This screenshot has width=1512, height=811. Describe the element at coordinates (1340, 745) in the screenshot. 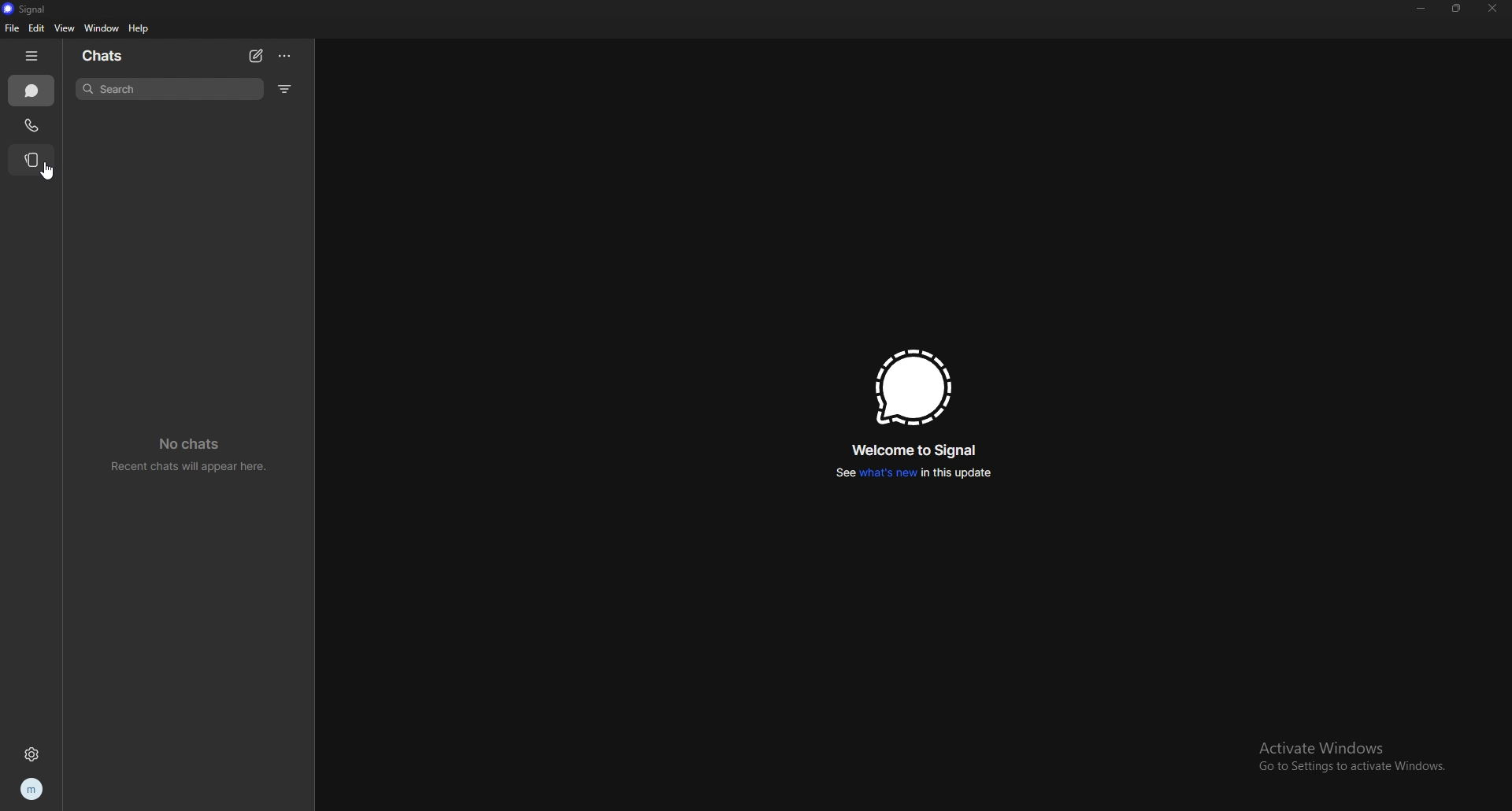

I see `Activate Windows` at that location.